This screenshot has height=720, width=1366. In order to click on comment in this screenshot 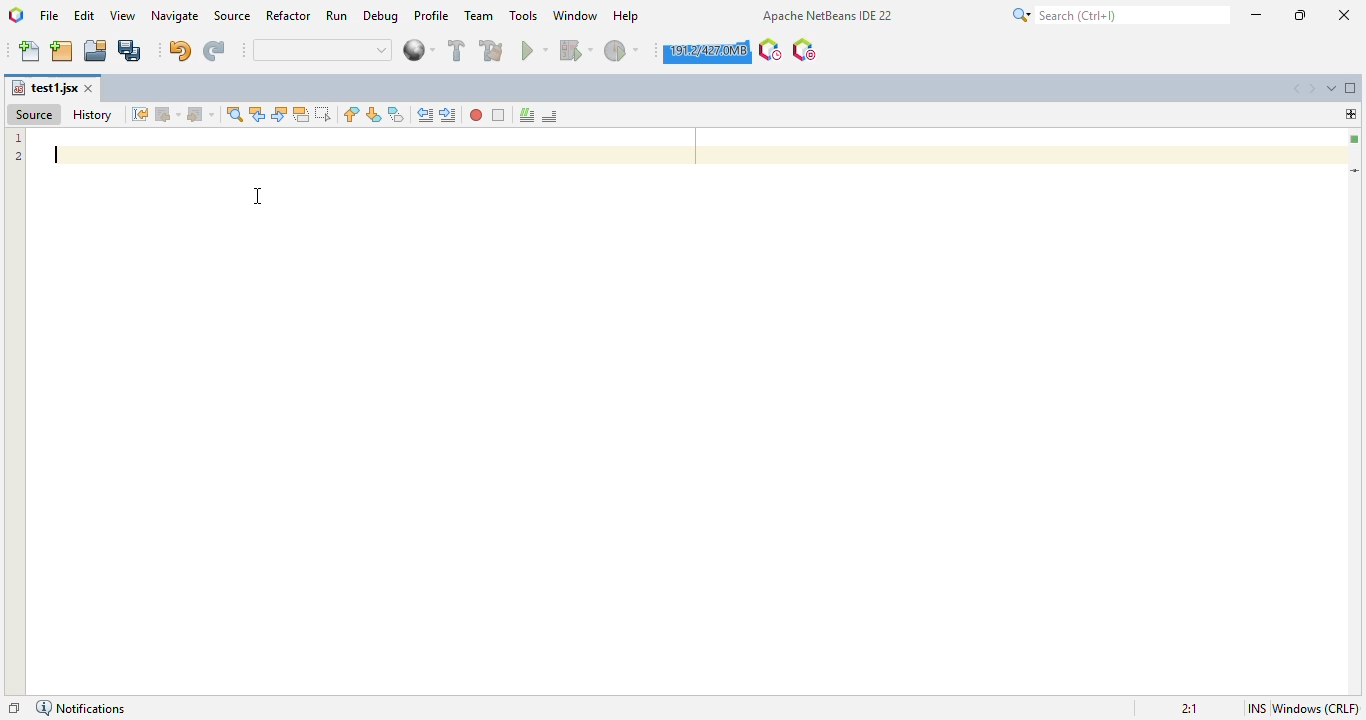, I will do `click(527, 115)`.